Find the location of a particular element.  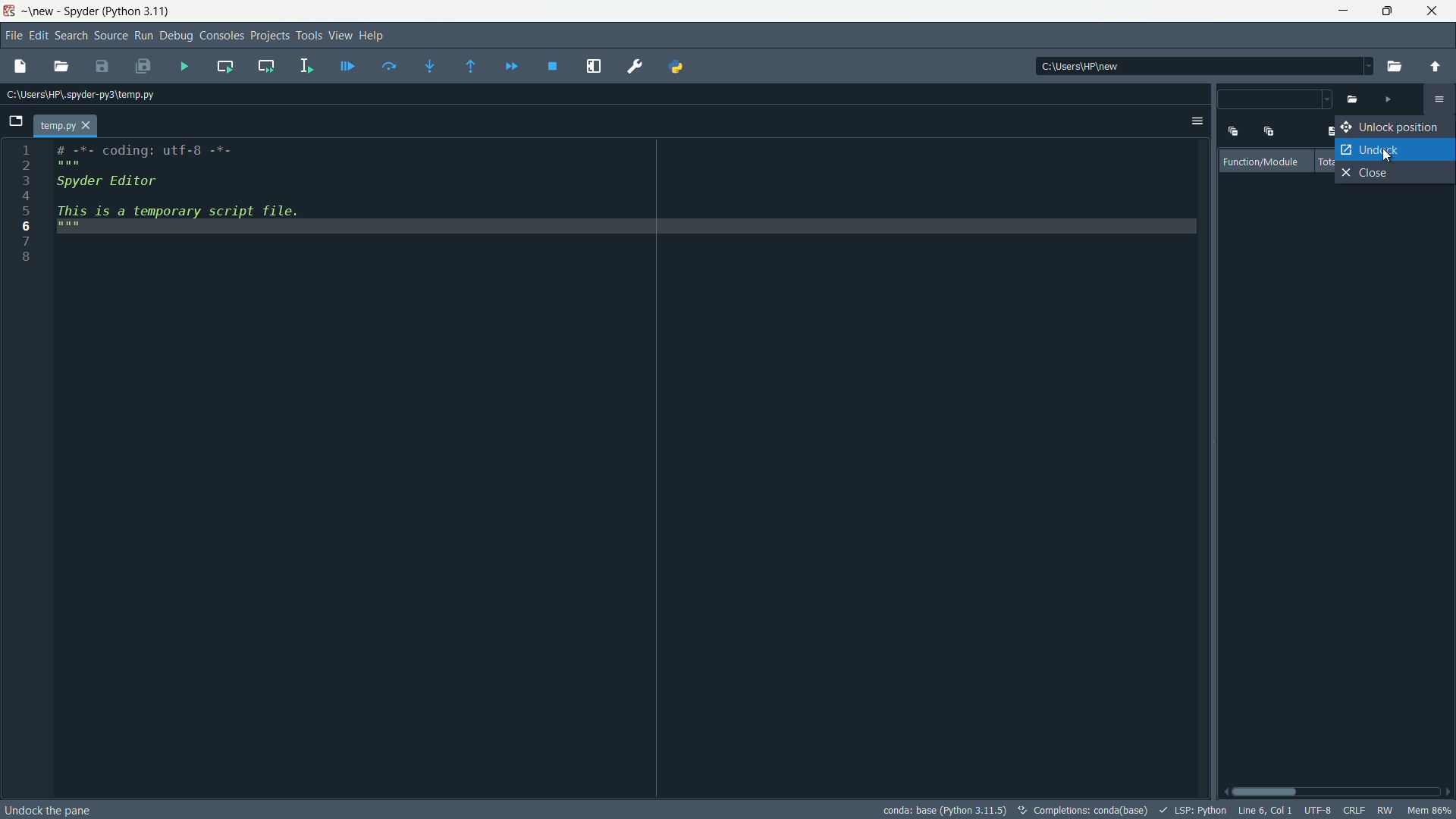

save file is located at coordinates (103, 67).